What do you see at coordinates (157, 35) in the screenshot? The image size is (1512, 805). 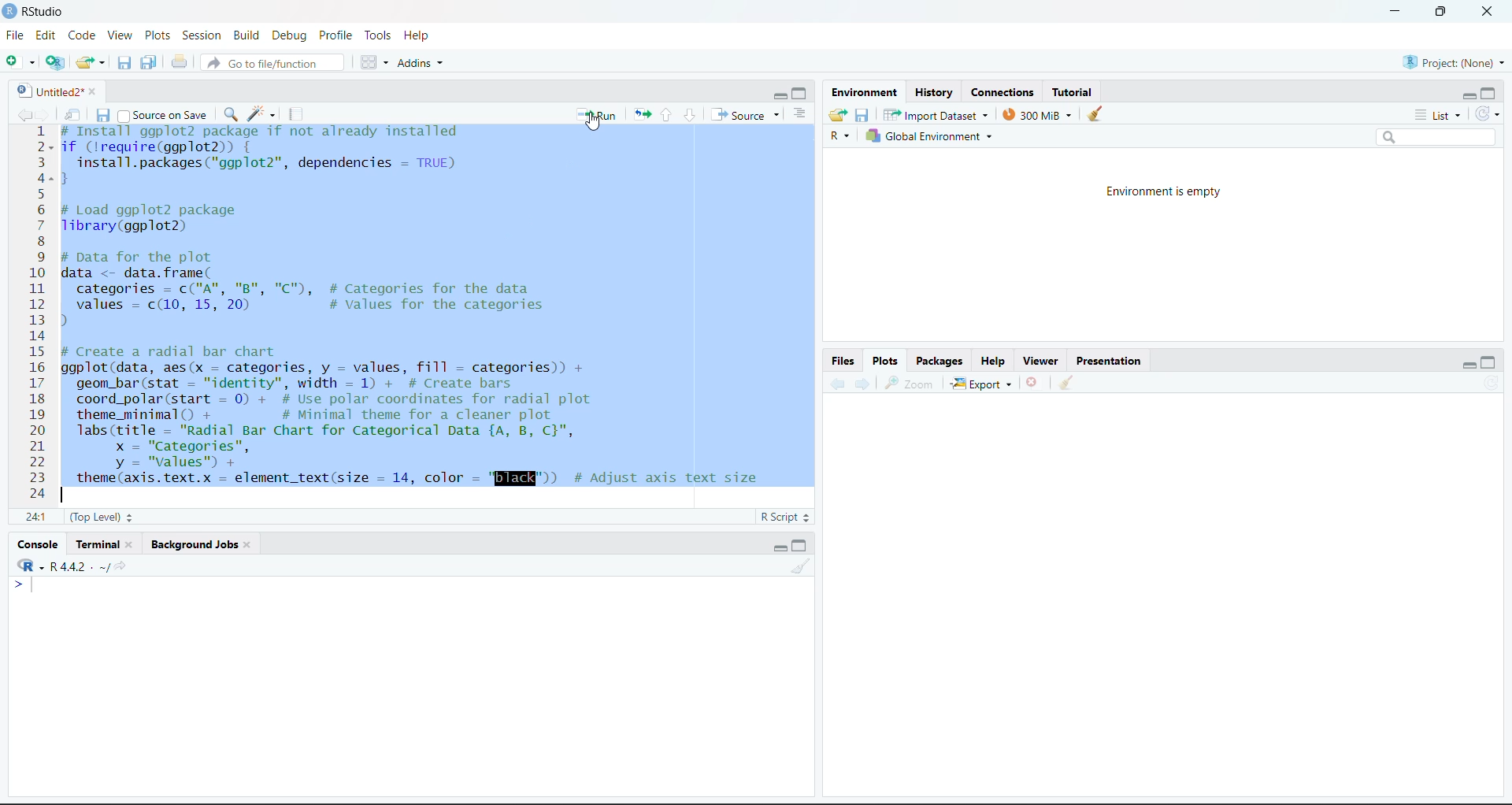 I see `Plots` at bounding box center [157, 35].